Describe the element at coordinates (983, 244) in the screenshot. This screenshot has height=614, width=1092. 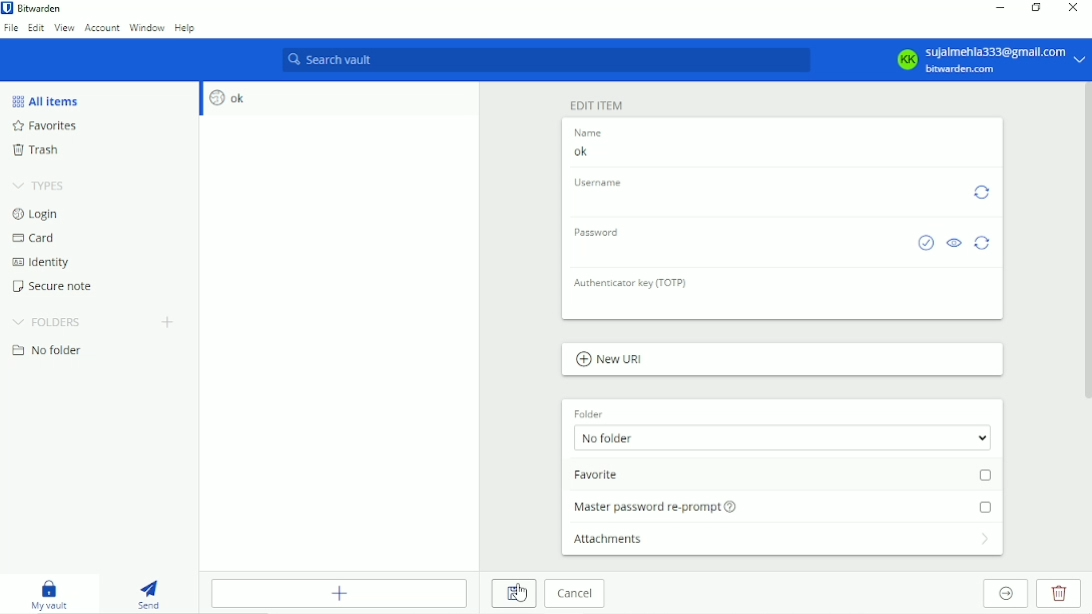
I see `Generate paassword` at that location.